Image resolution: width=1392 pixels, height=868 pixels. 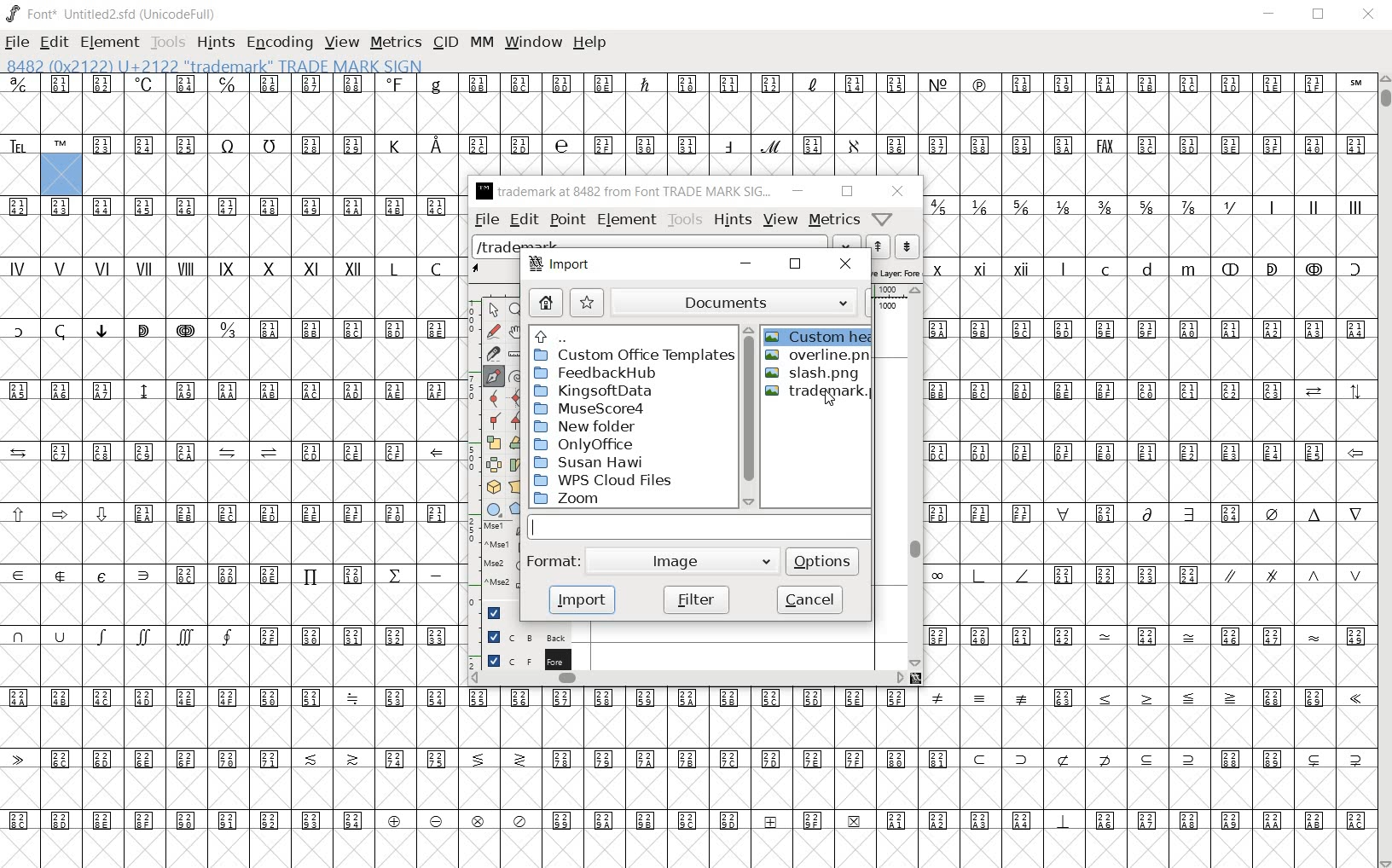 What do you see at coordinates (917, 476) in the screenshot?
I see `scrollbar` at bounding box center [917, 476].